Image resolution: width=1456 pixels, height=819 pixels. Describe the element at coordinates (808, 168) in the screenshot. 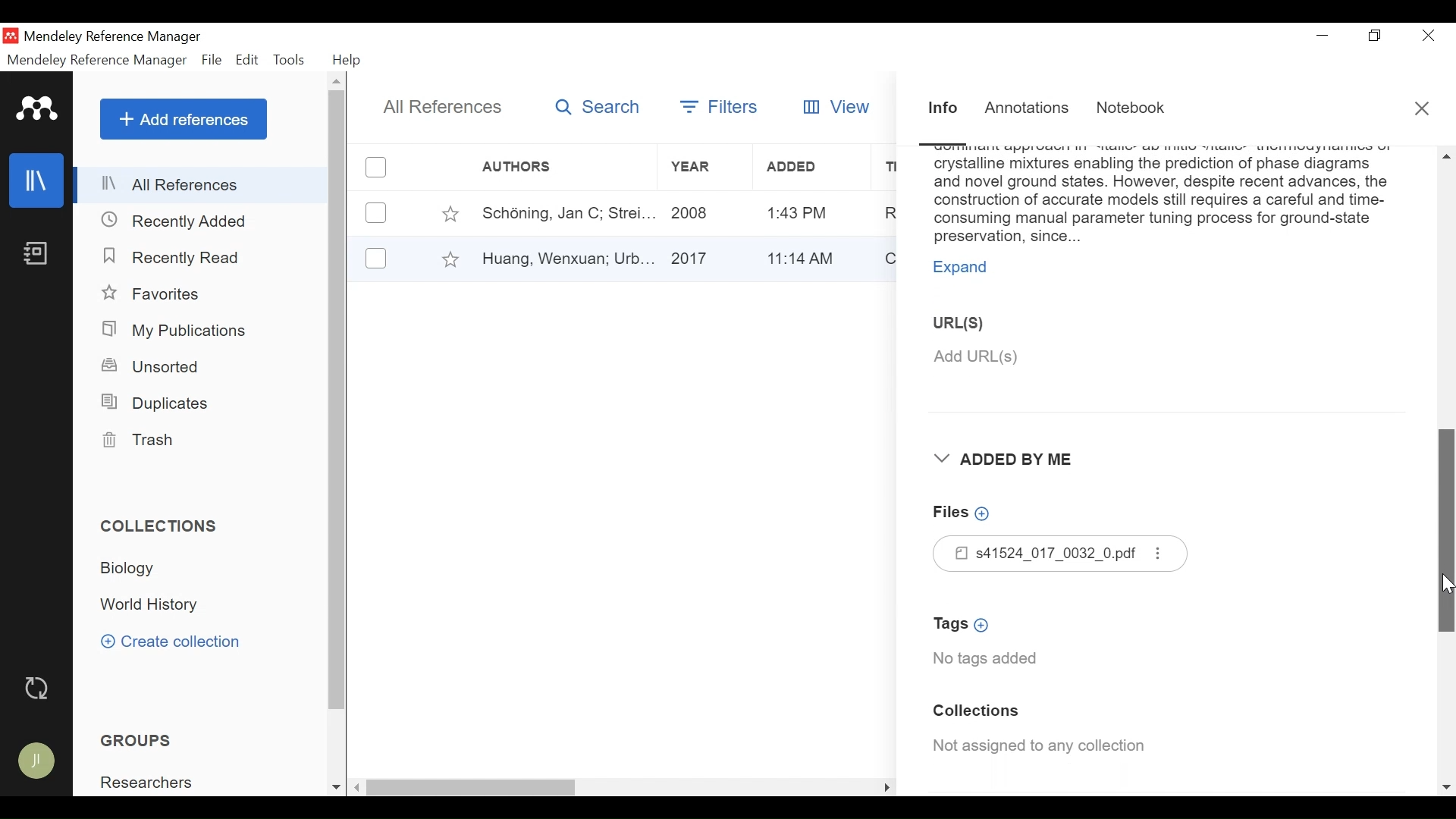

I see `Added` at that location.